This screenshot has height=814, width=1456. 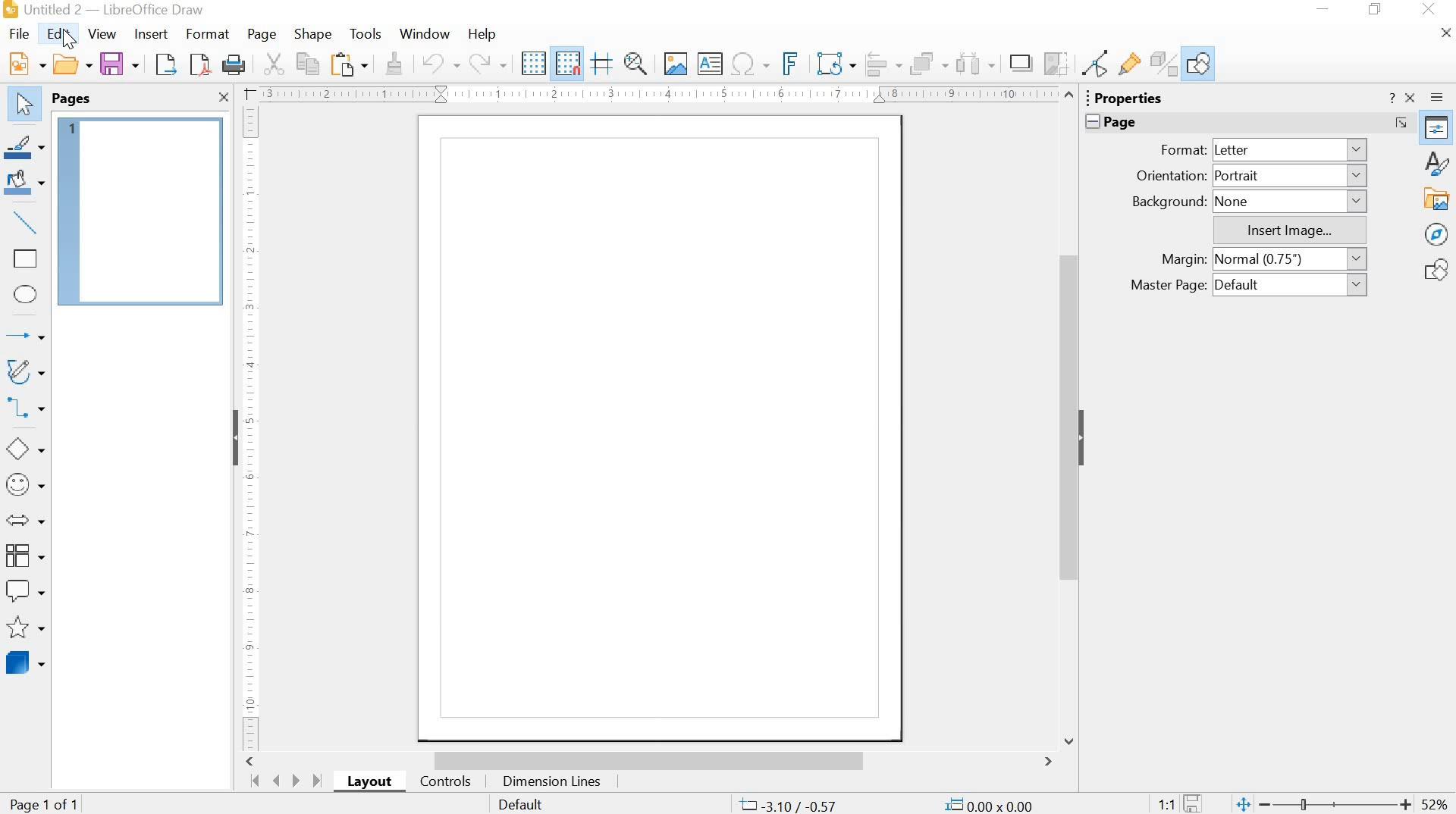 What do you see at coordinates (749, 64) in the screenshot?
I see `Insert Special Characters` at bounding box center [749, 64].